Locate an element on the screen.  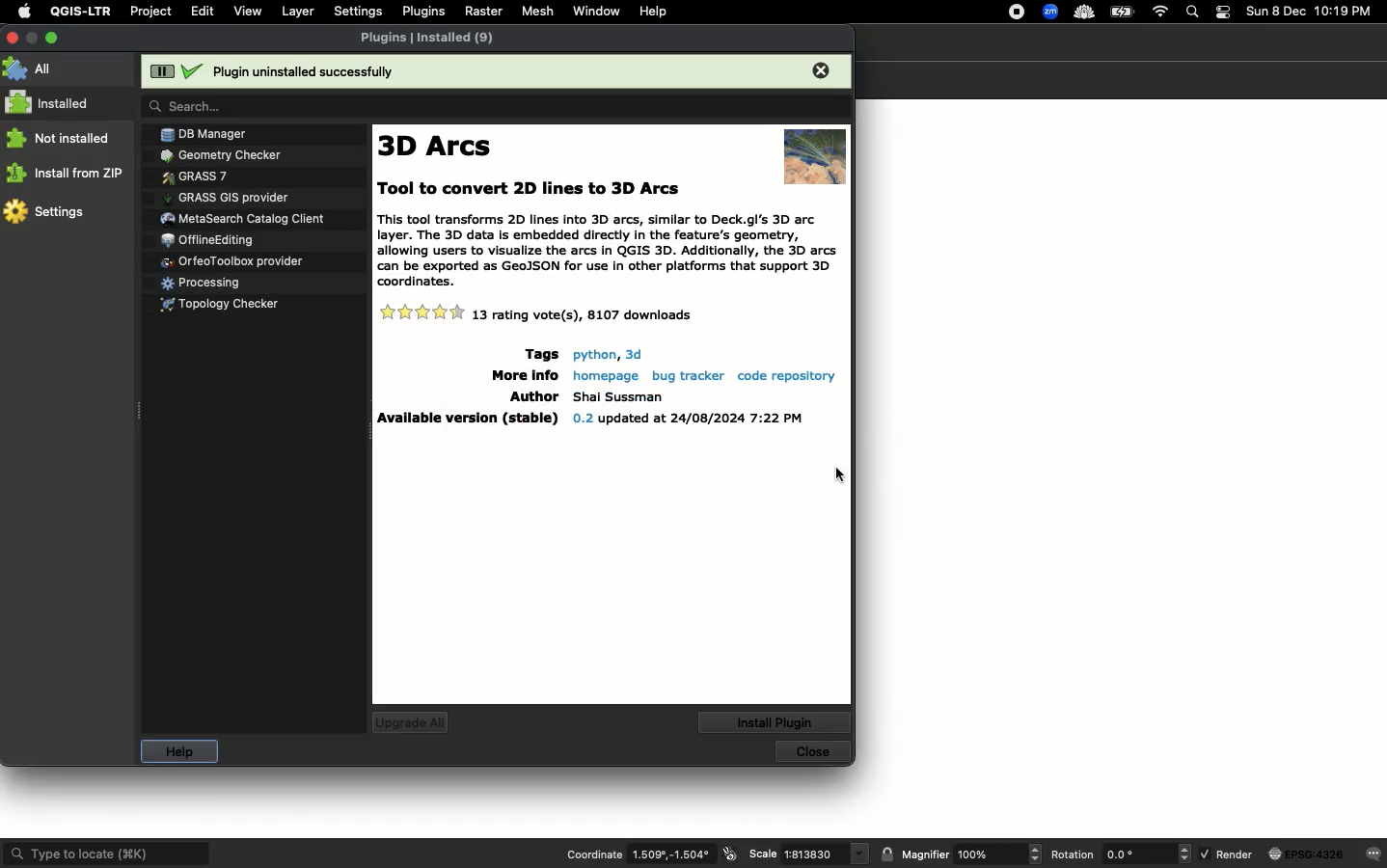
Plugins is located at coordinates (245, 196).